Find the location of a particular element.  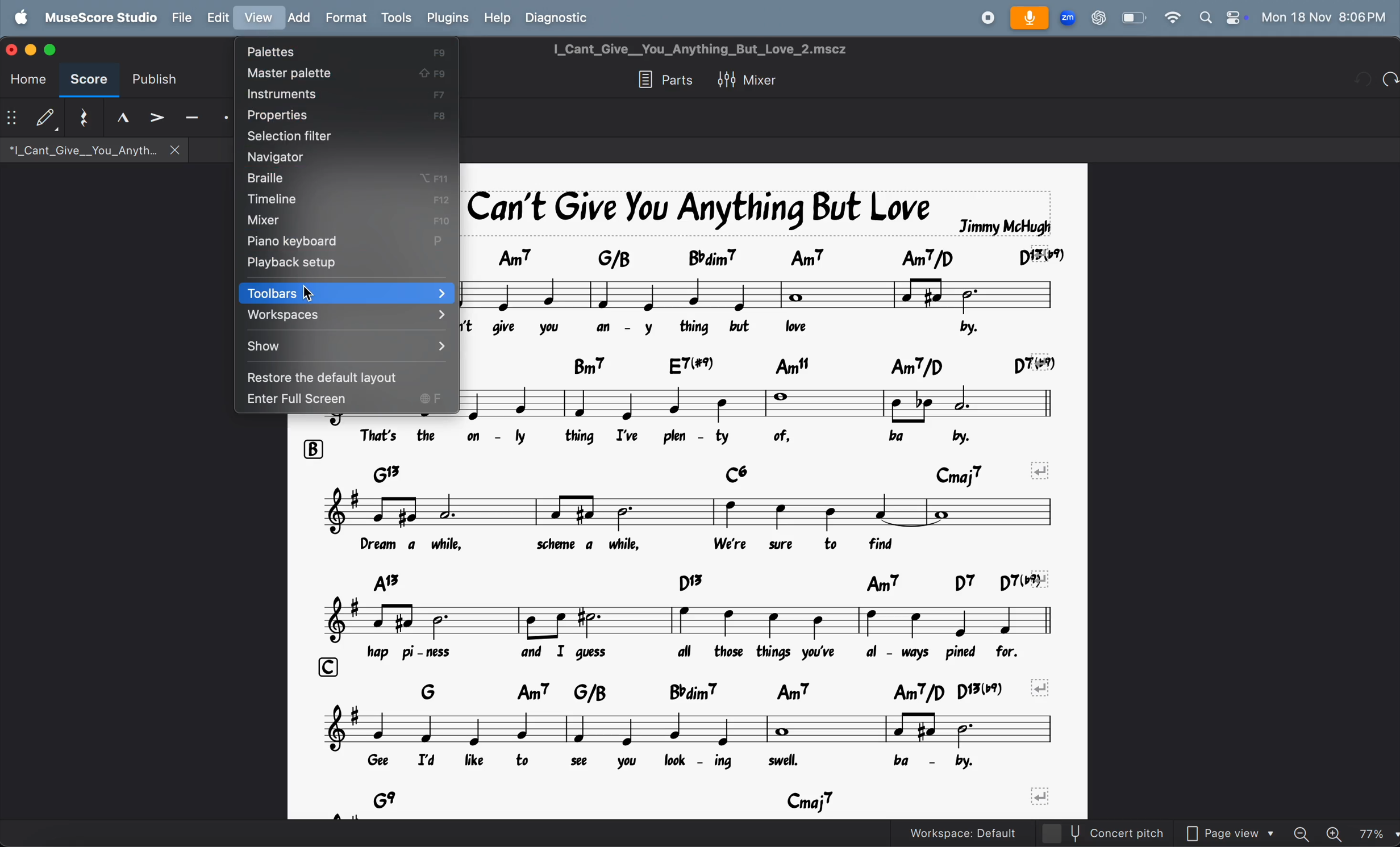

chord symbols is located at coordinates (707, 798).